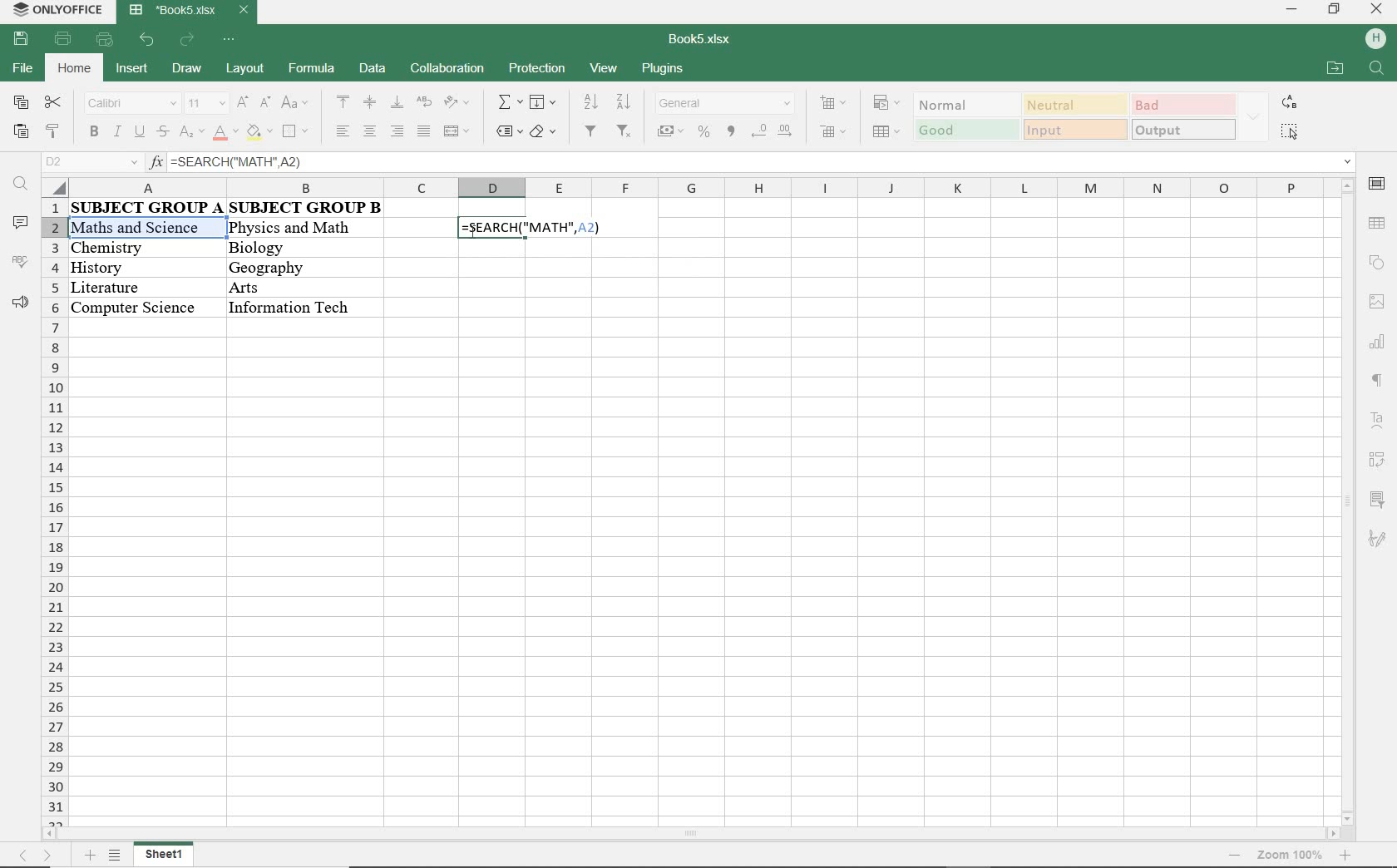  Describe the element at coordinates (889, 134) in the screenshot. I see `format as table template` at that location.